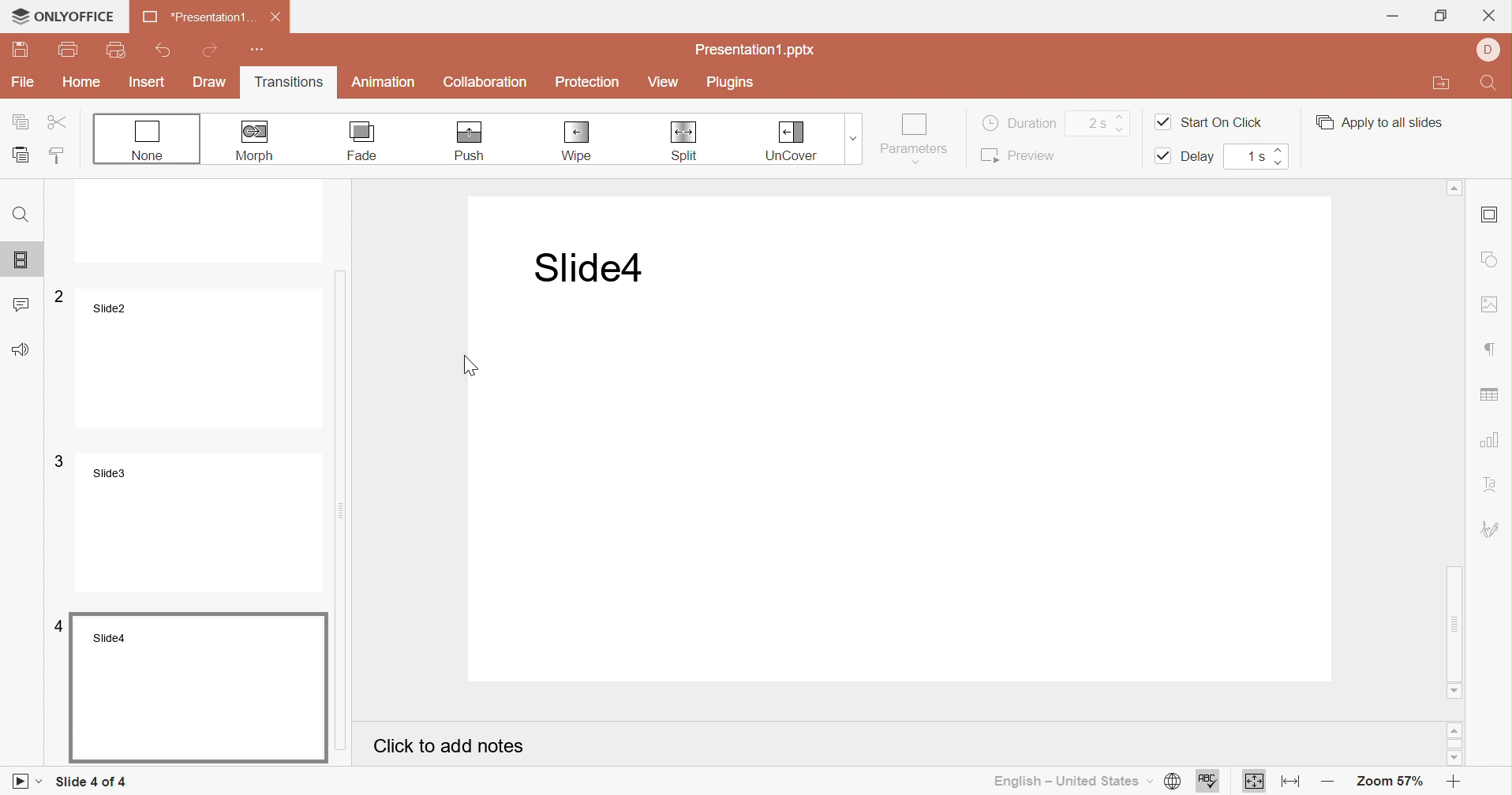 This screenshot has height=795, width=1512. I want to click on Insert image, so click(1492, 305).